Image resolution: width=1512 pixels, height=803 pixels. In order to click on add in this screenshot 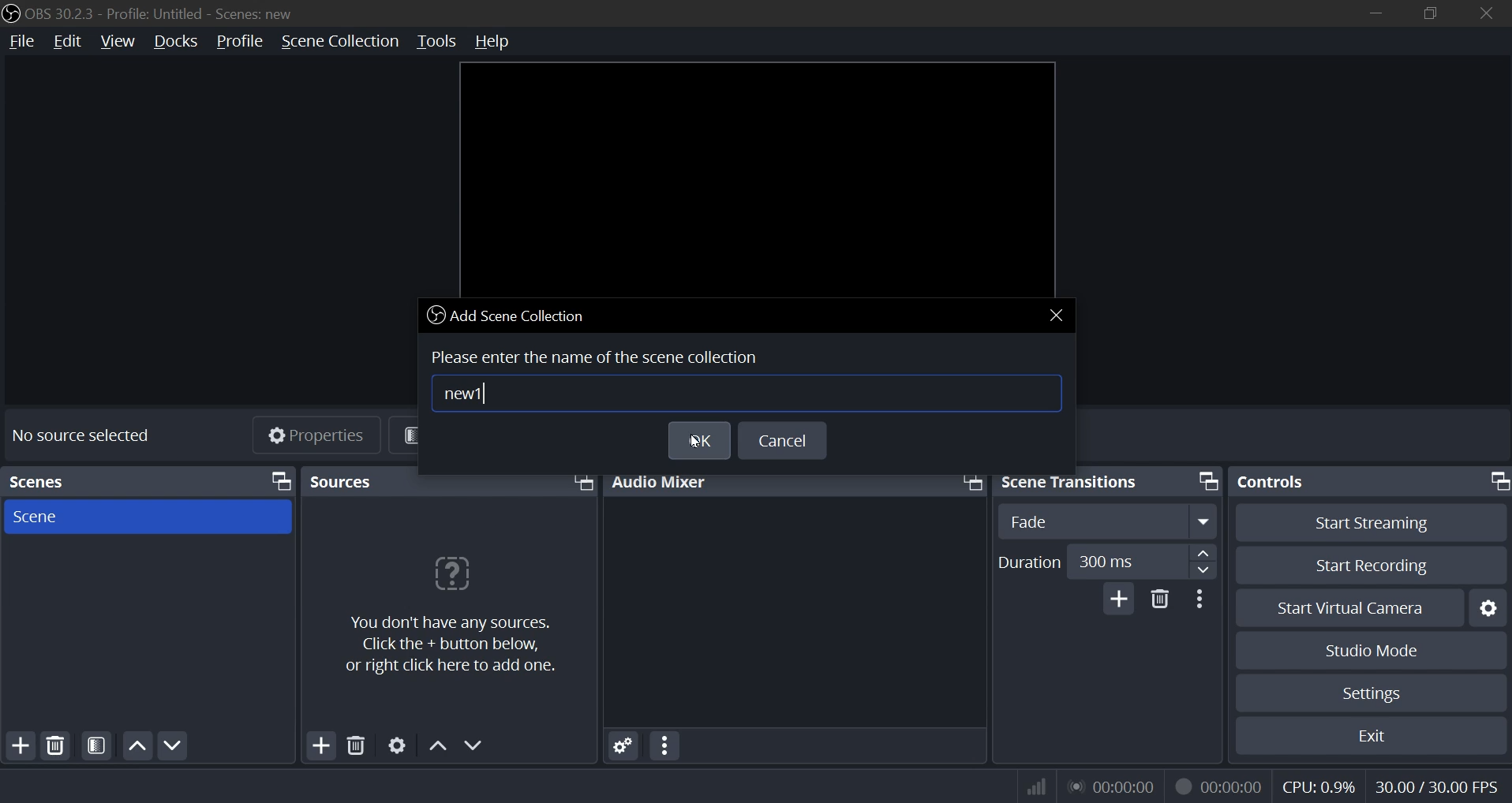, I will do `click(320, 745)`.